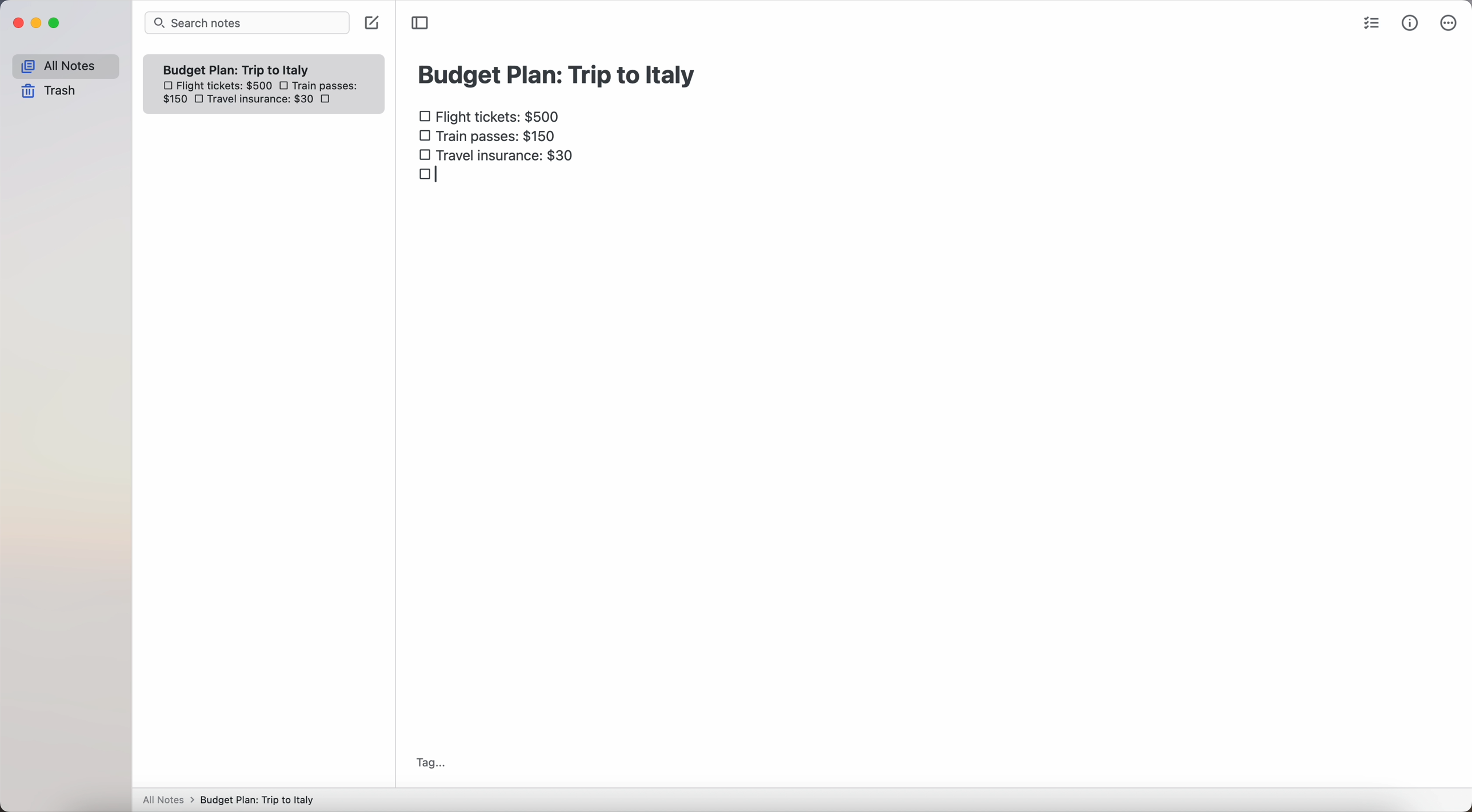 Image resolution: width=1472 pixels, height=812 pixels. I want to click on 150, so click(174, 101).